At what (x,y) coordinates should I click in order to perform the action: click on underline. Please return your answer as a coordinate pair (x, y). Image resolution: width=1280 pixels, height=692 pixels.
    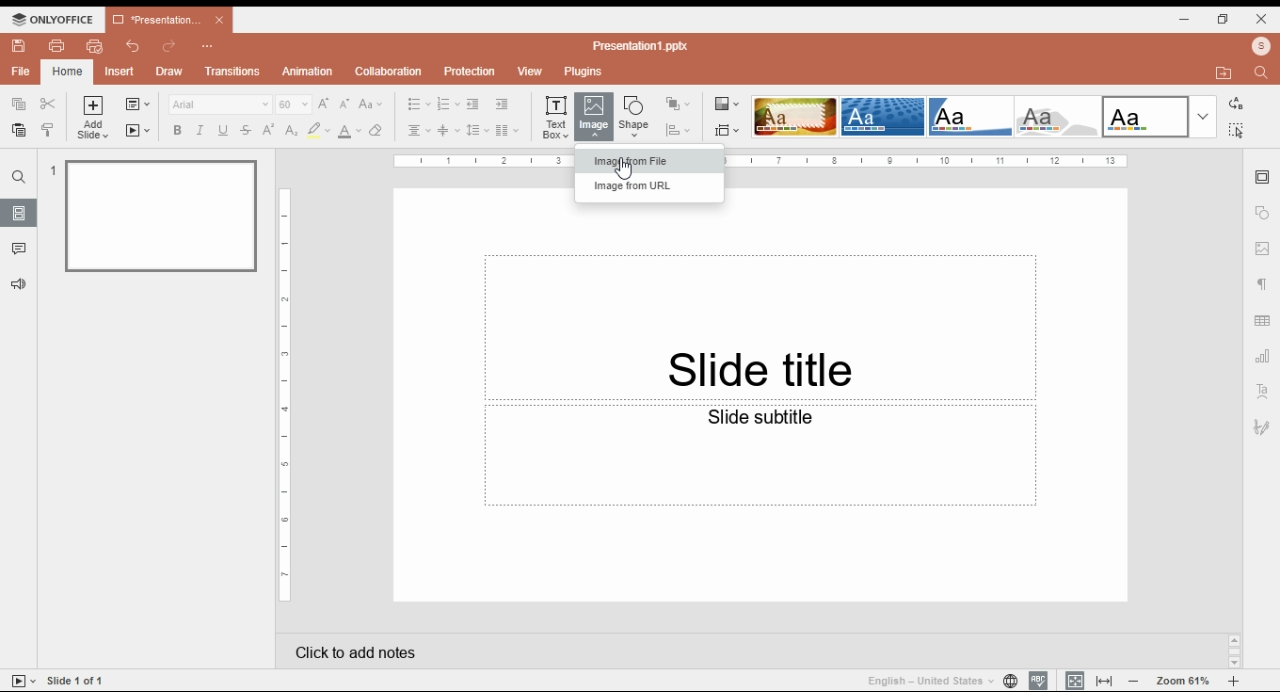
    Looking at the image, I should click on (223, 131).